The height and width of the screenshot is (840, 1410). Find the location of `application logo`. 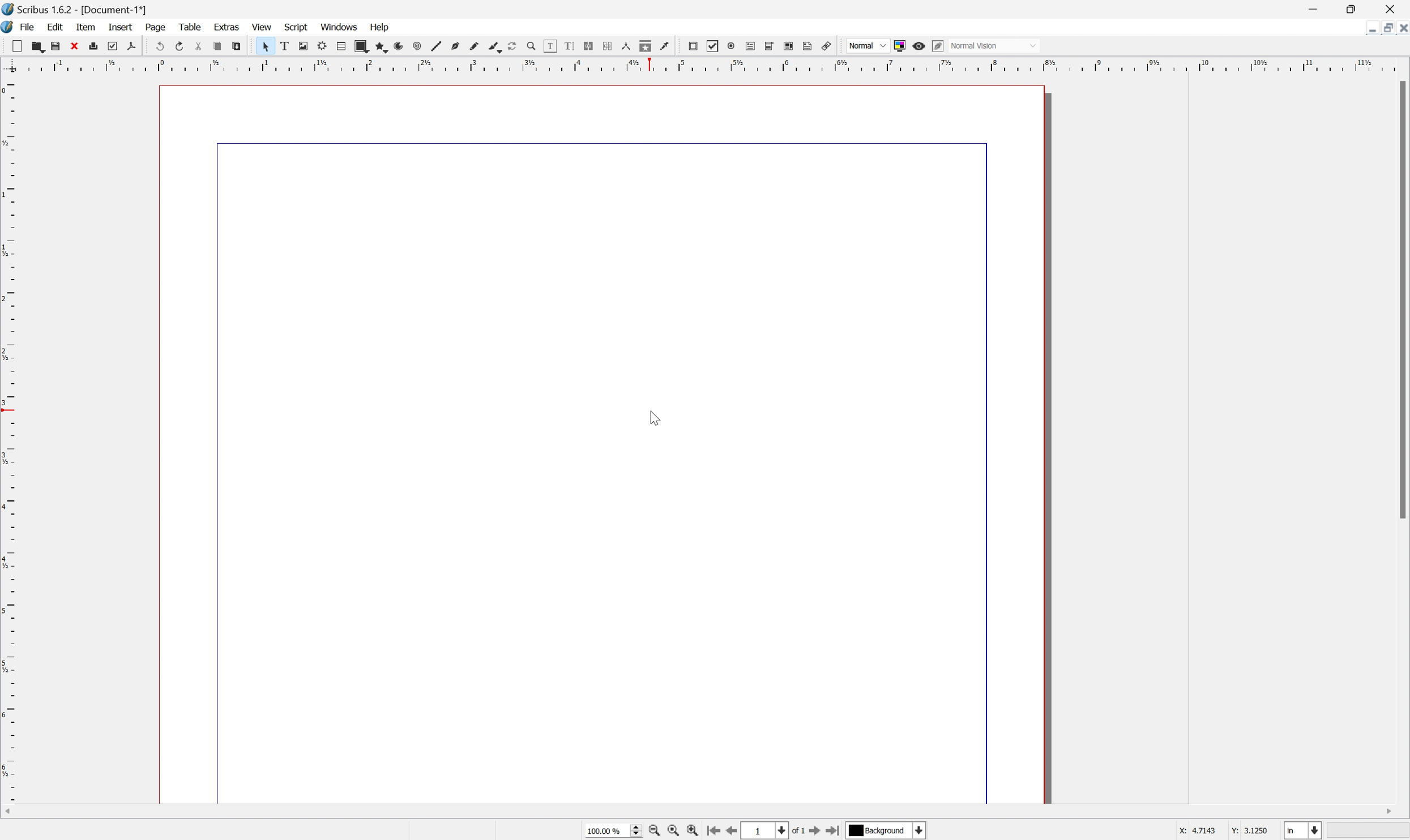

application logo is located at coordinates (9, 27).